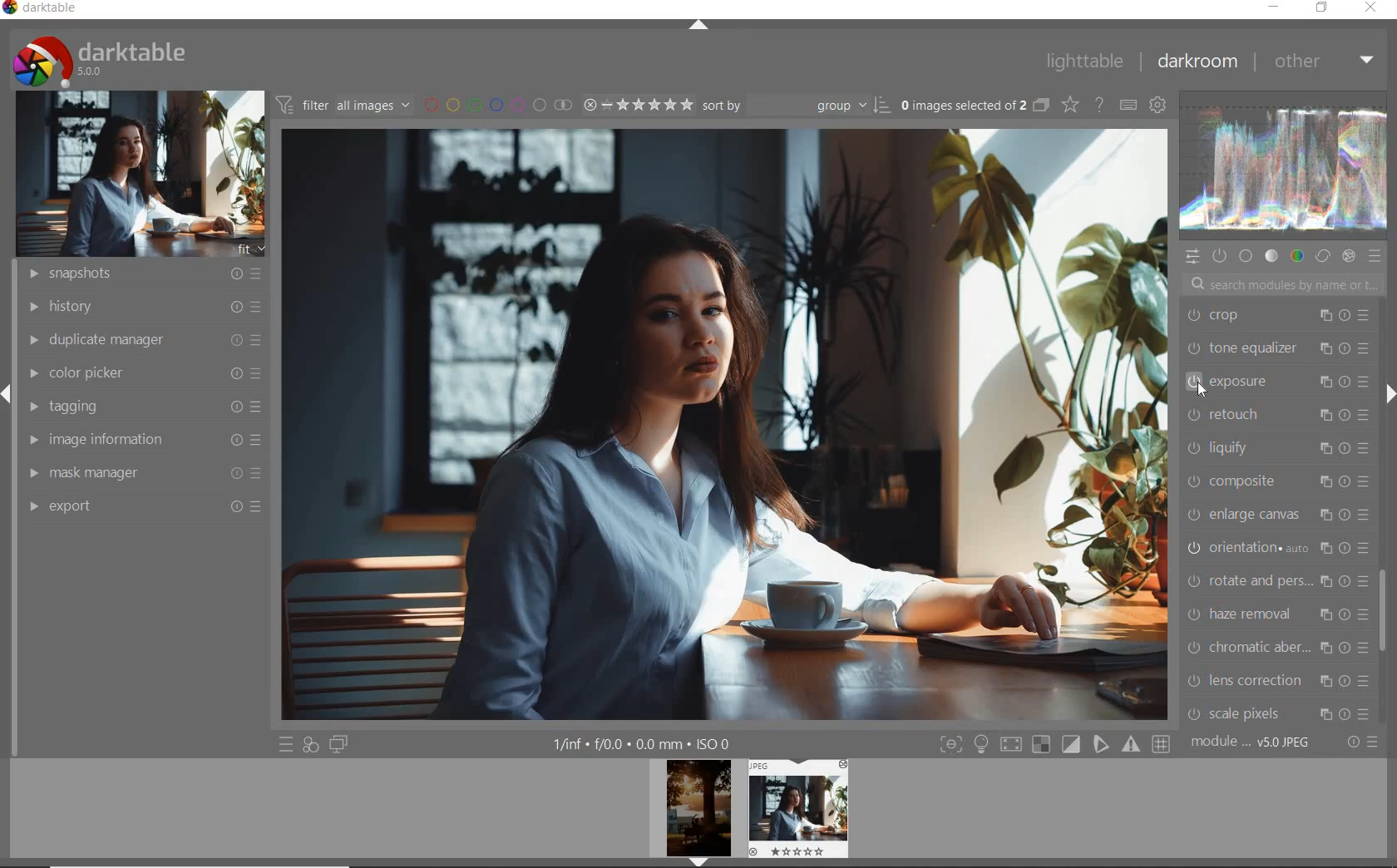 This screenshot has width=1397, height=868. Describe the element at coordinates (339, 105) in the screenshot. I see `FILTER IMAGE` at that location.